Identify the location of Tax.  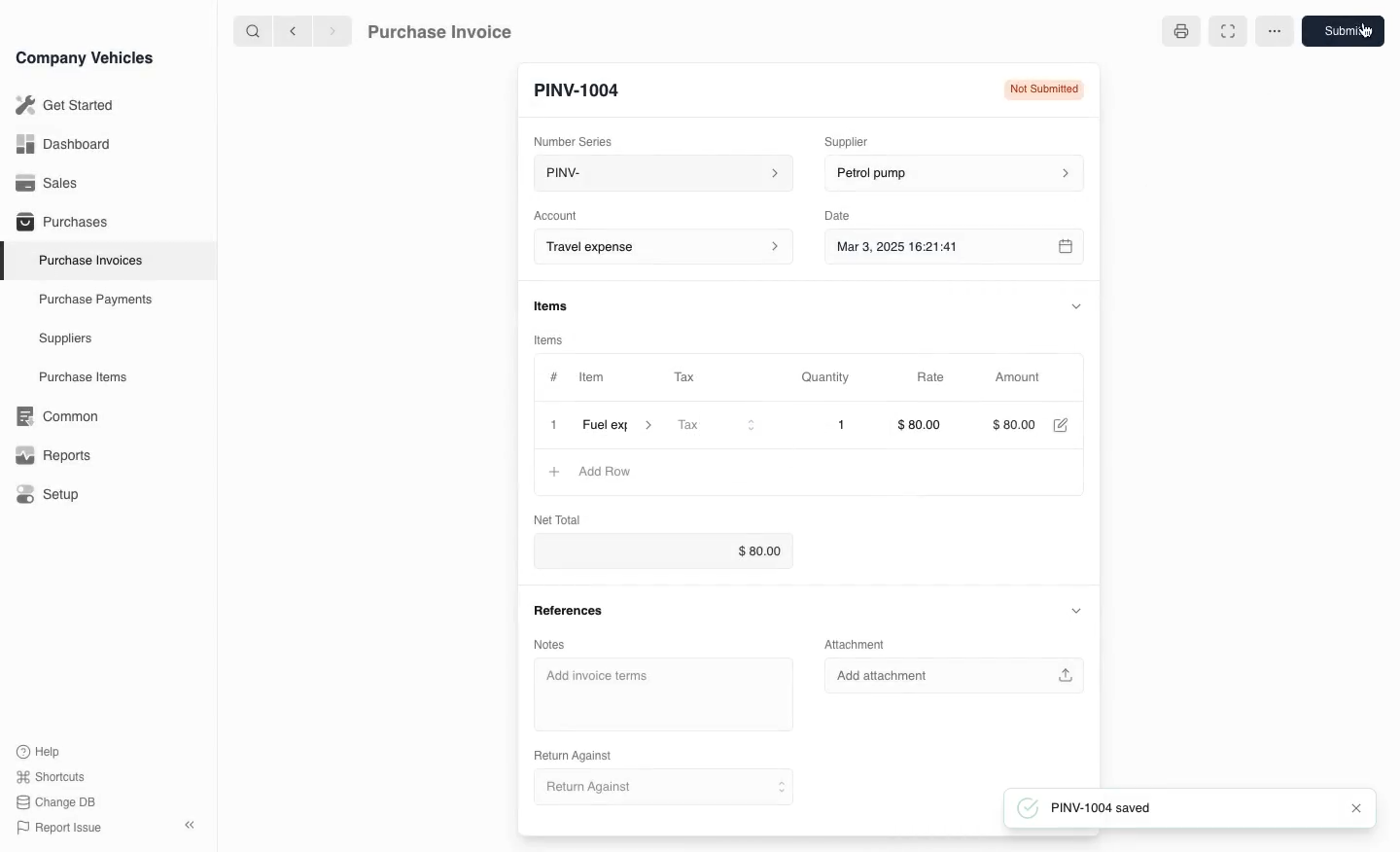
(693, 378).